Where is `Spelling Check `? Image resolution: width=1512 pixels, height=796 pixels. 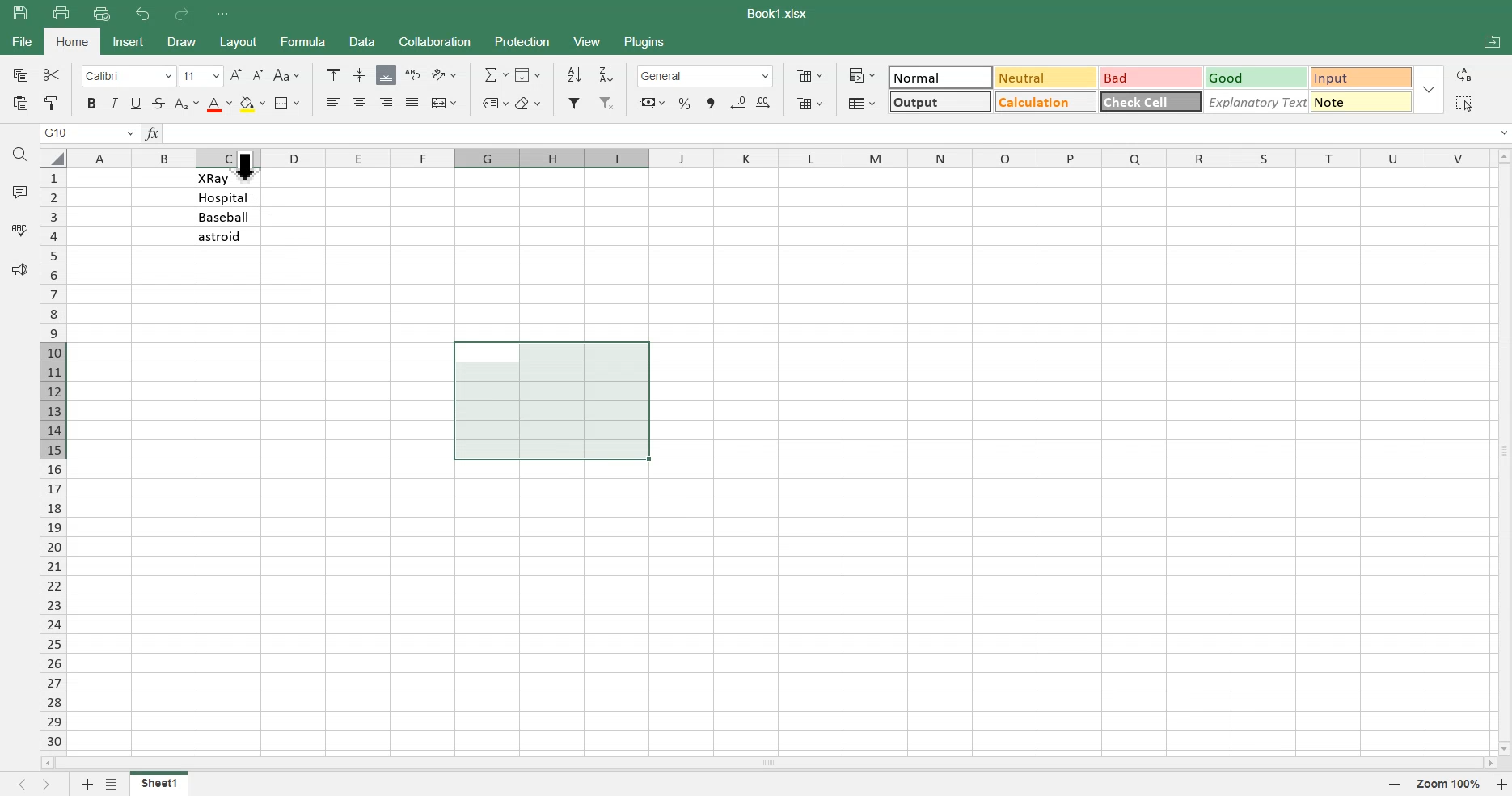 Spelling Check  is located at coordinates (20, 228).